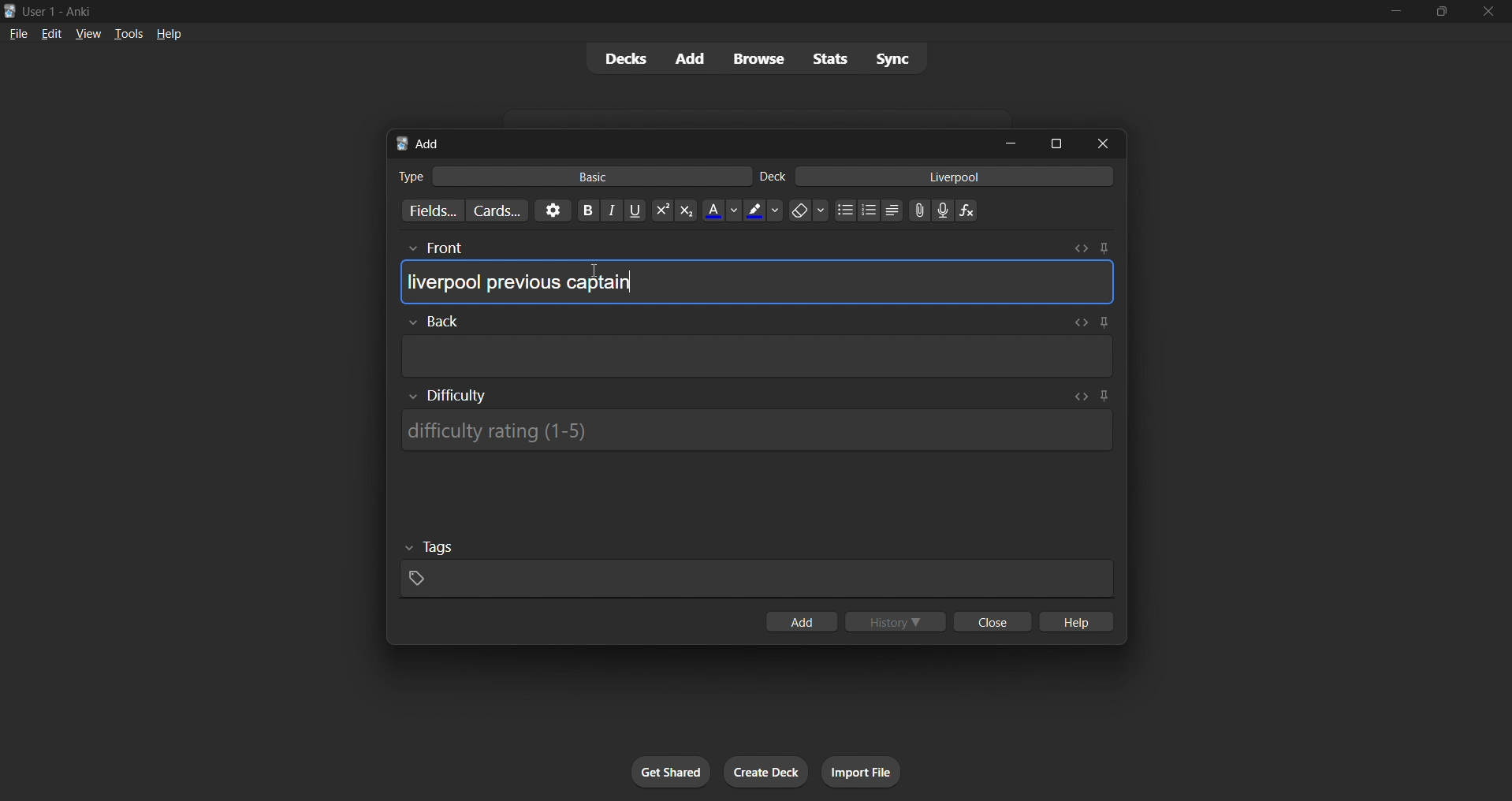 This screenshot has height=801, width=1512. What do you see at coordinates (799, 623) in the screenshot?
I see `add` at bounding box center [799, 623].